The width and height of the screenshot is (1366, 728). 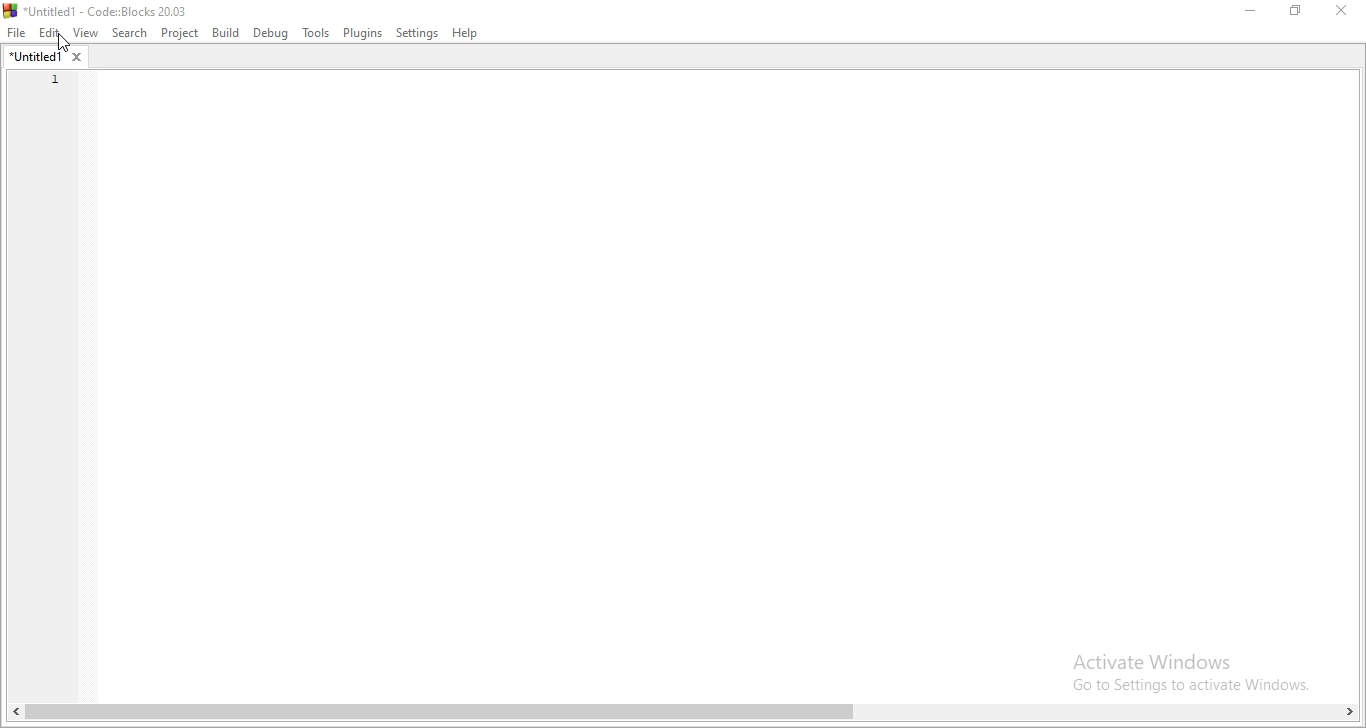 What do you see at coordinates (474, 32) in the screenshot?
I see `Help` at bounding box center [474, 32].